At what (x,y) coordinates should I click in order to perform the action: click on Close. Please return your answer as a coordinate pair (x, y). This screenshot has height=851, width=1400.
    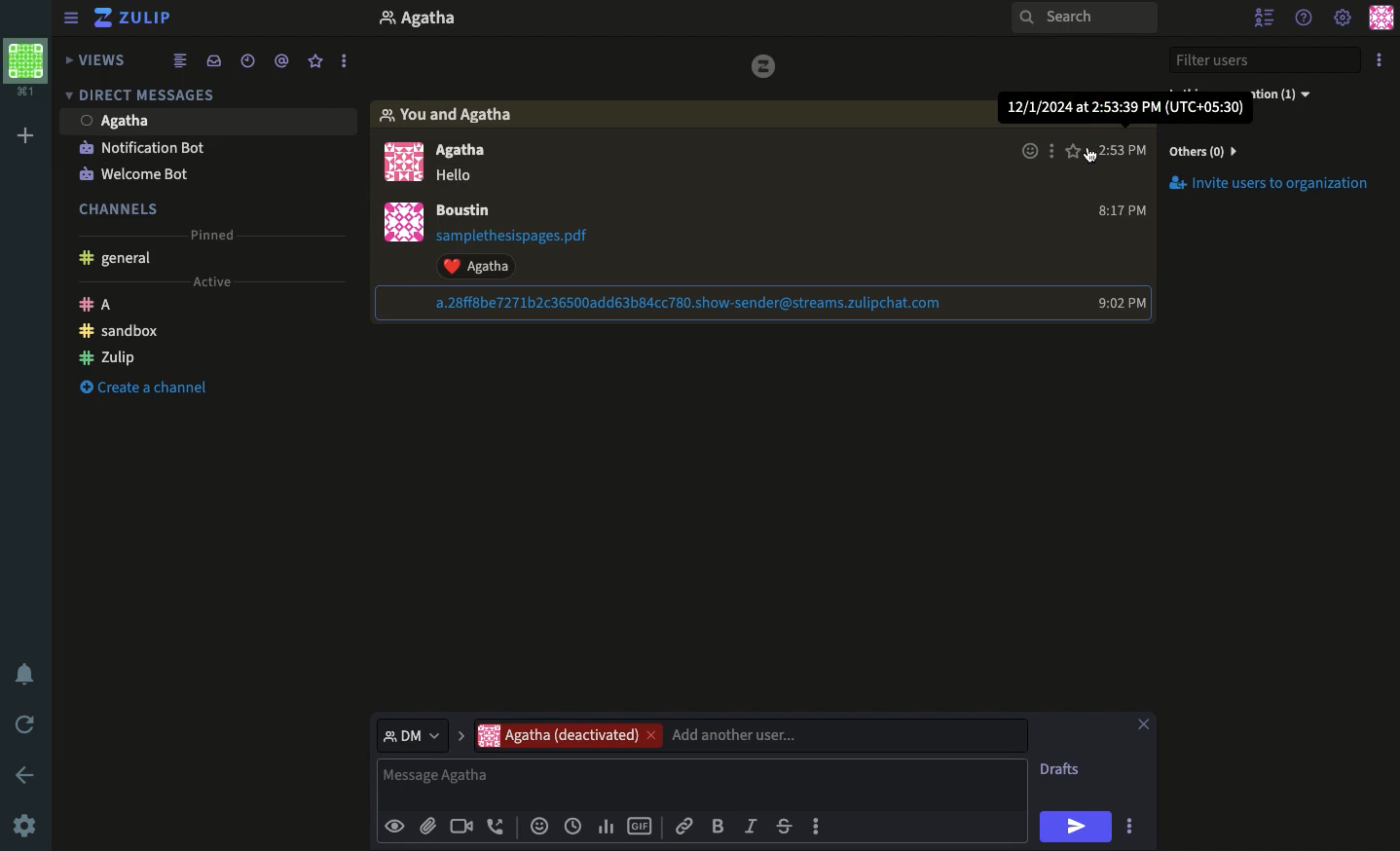
    Looking at the image, I should click on (1144, 721).